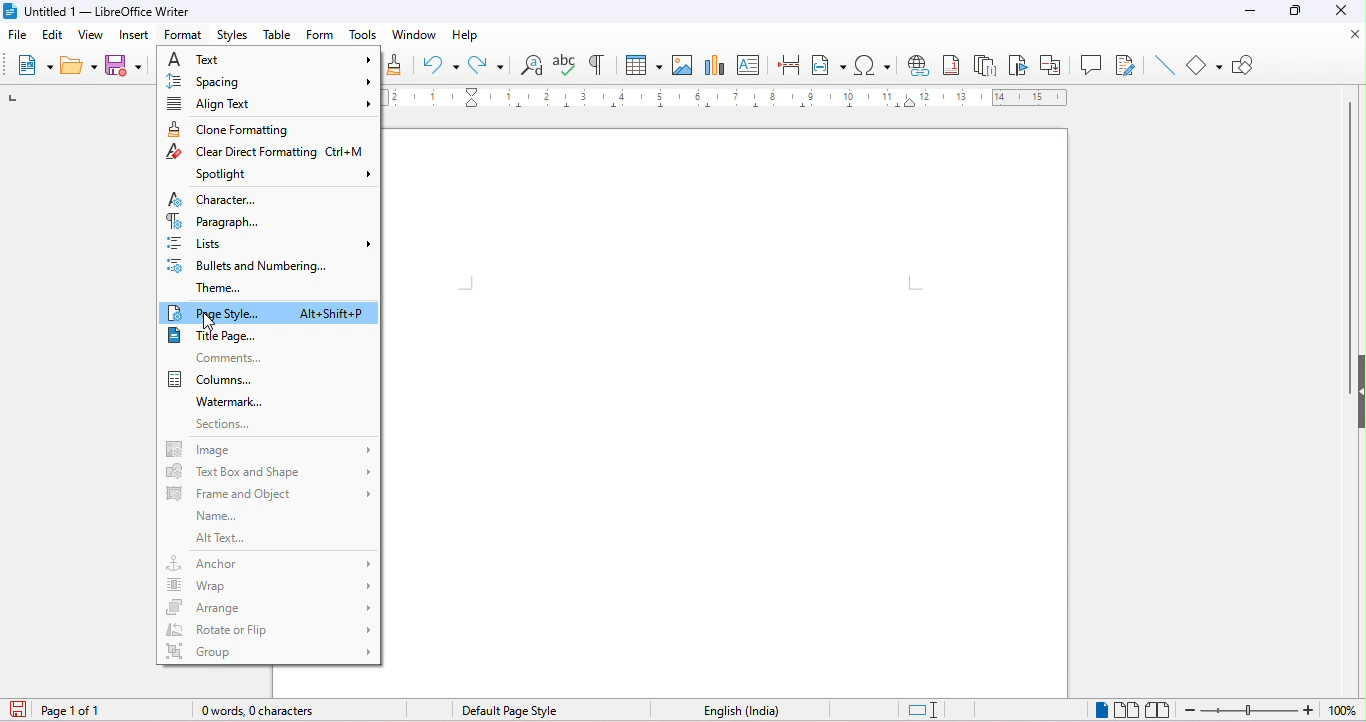  I want to click on check spelling, so click(561, 62).